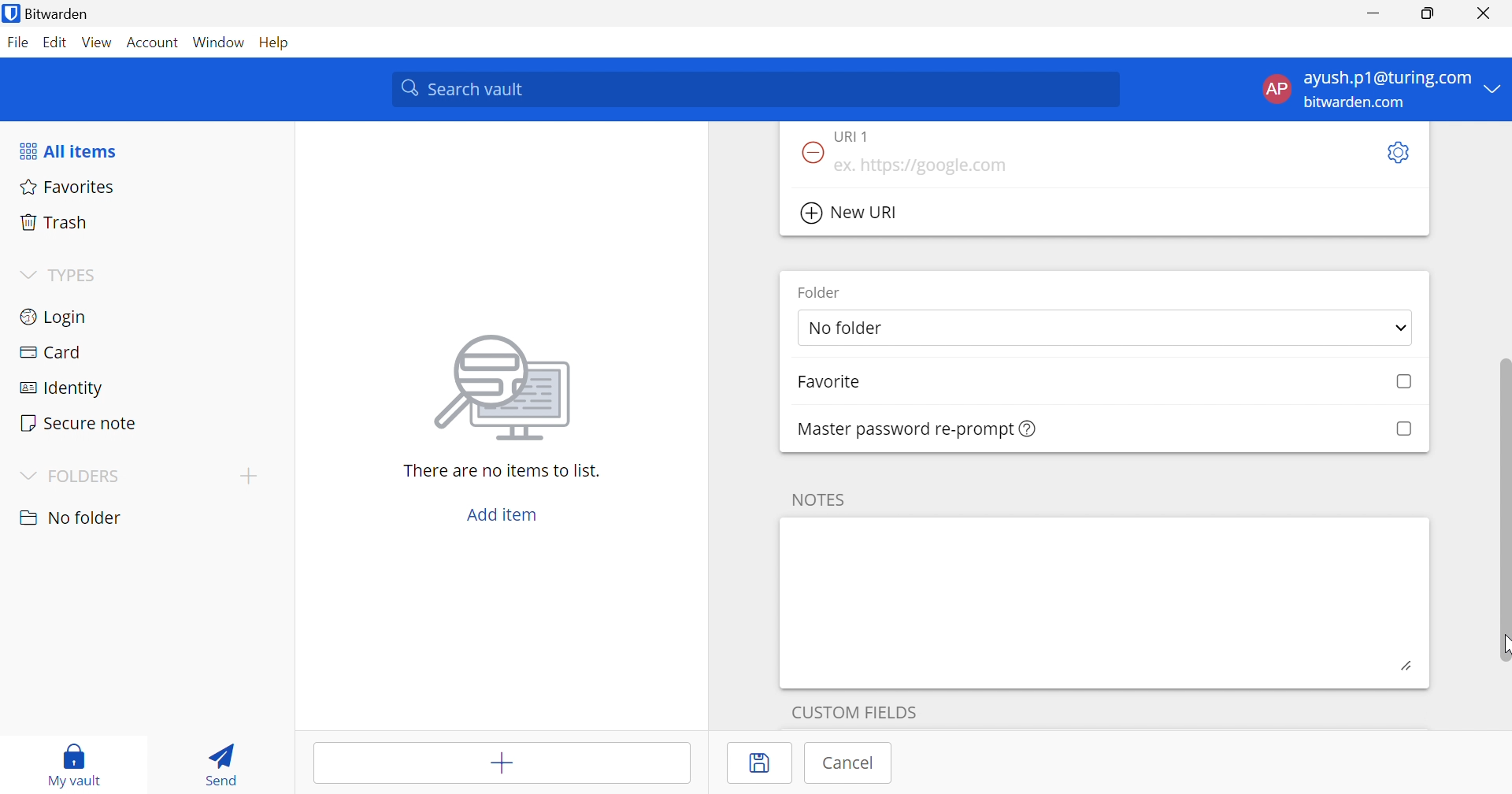  I want to click on Secure note, so click(77, 425).